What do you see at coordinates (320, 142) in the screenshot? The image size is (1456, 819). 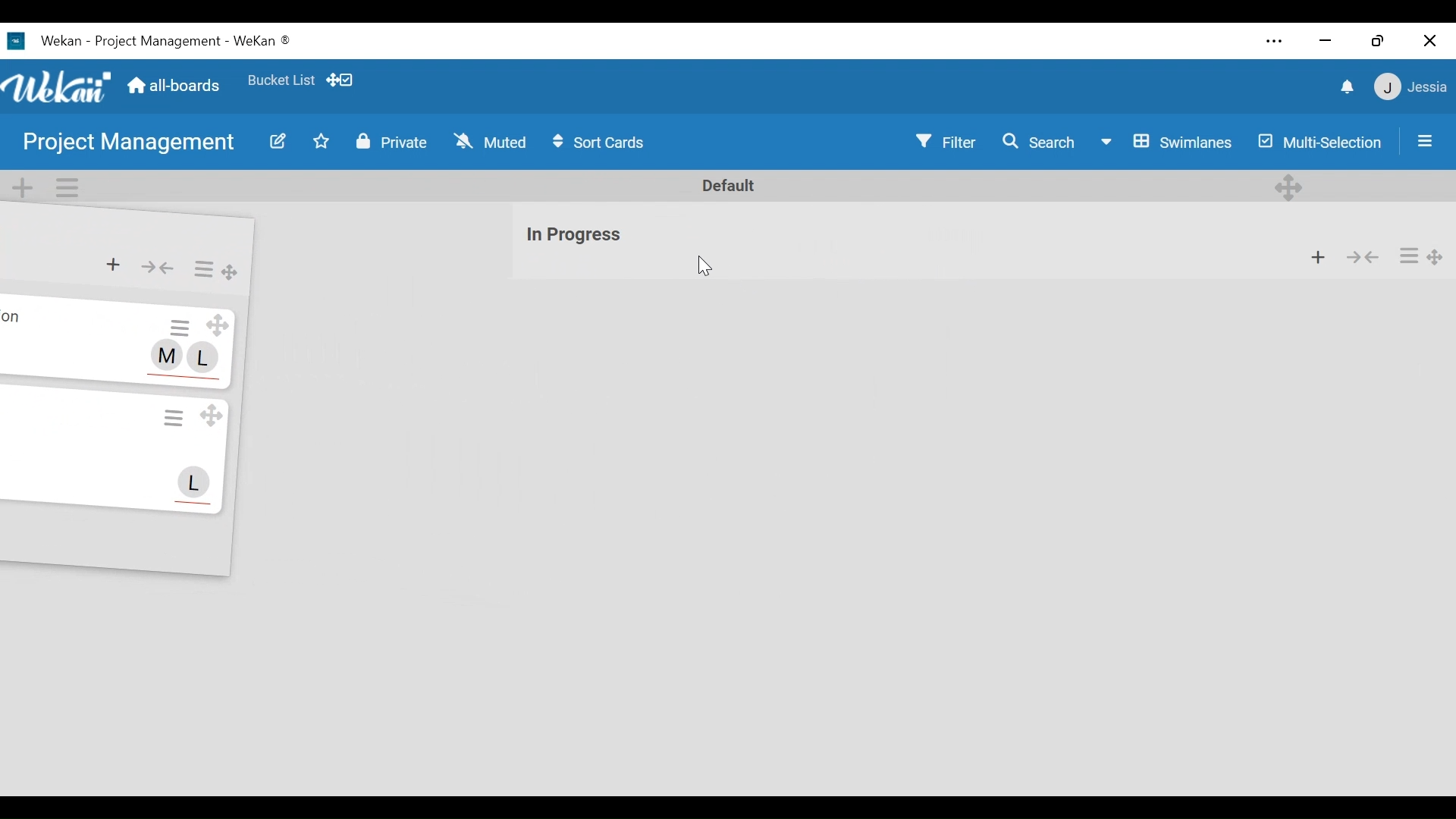 I see `Toggle favorites` at bounding box center [320, 142].